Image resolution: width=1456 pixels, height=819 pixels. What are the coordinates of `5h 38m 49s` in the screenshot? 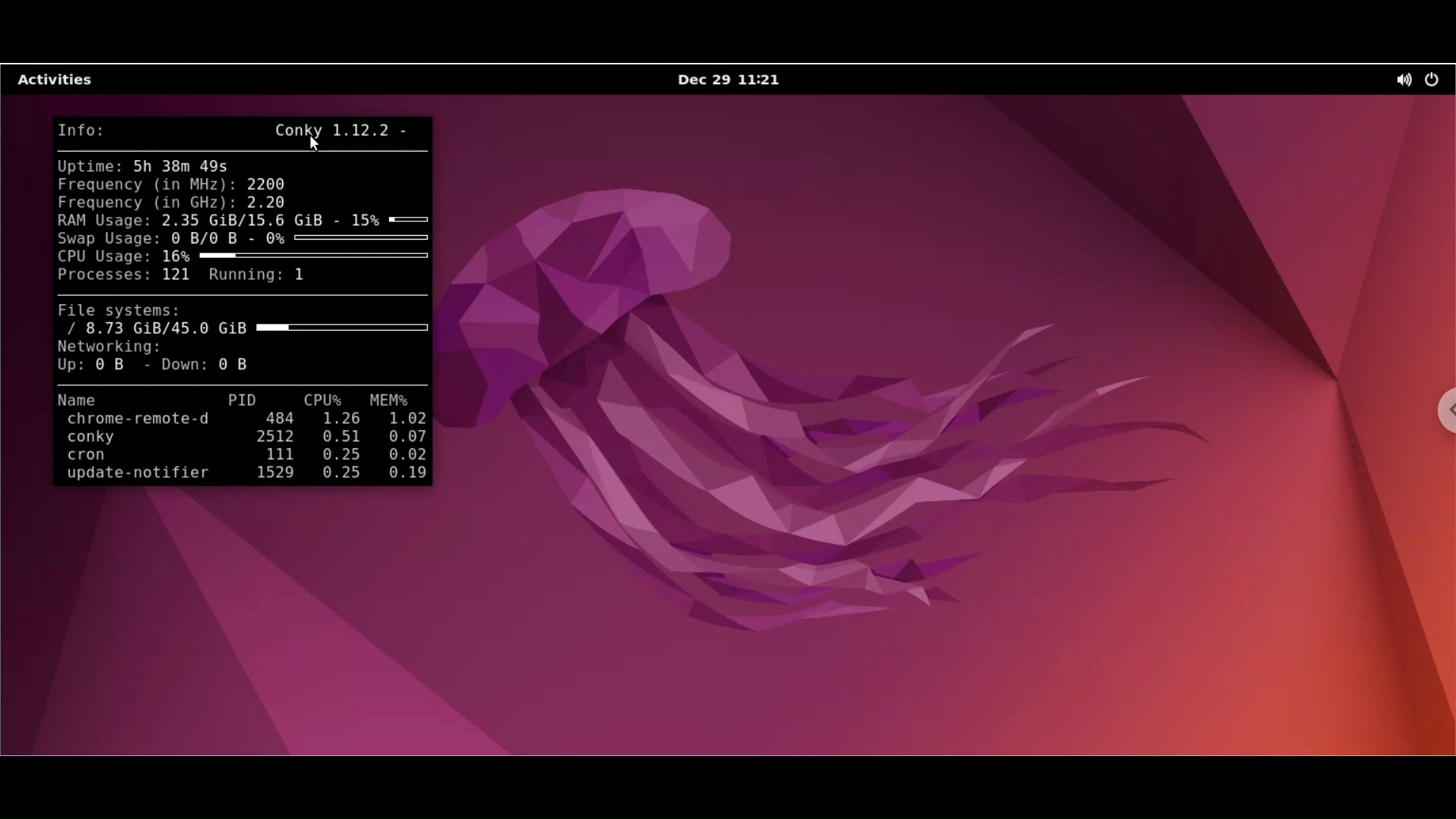 It's located at (185, 168).